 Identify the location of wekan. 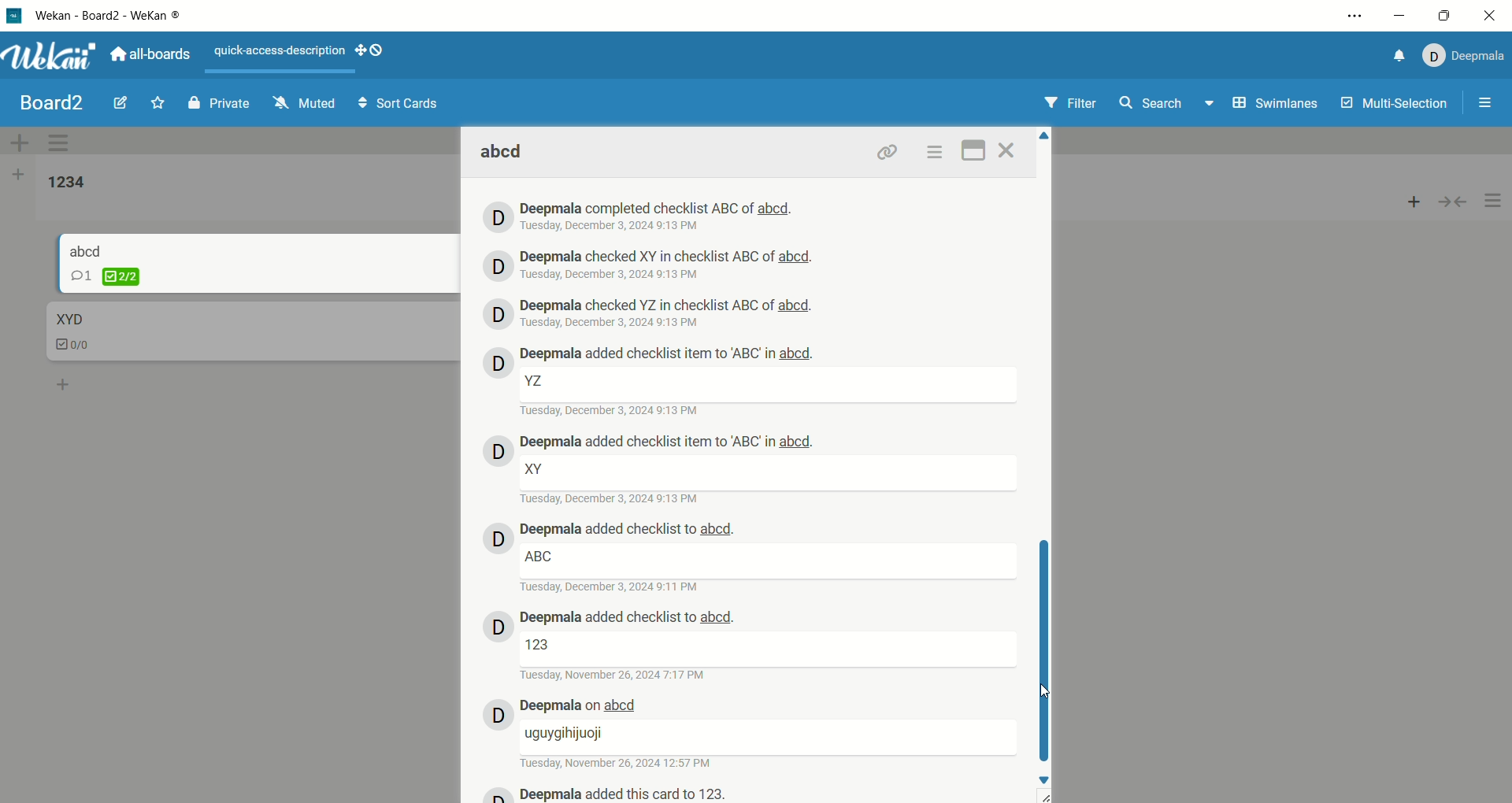
(50, 58).